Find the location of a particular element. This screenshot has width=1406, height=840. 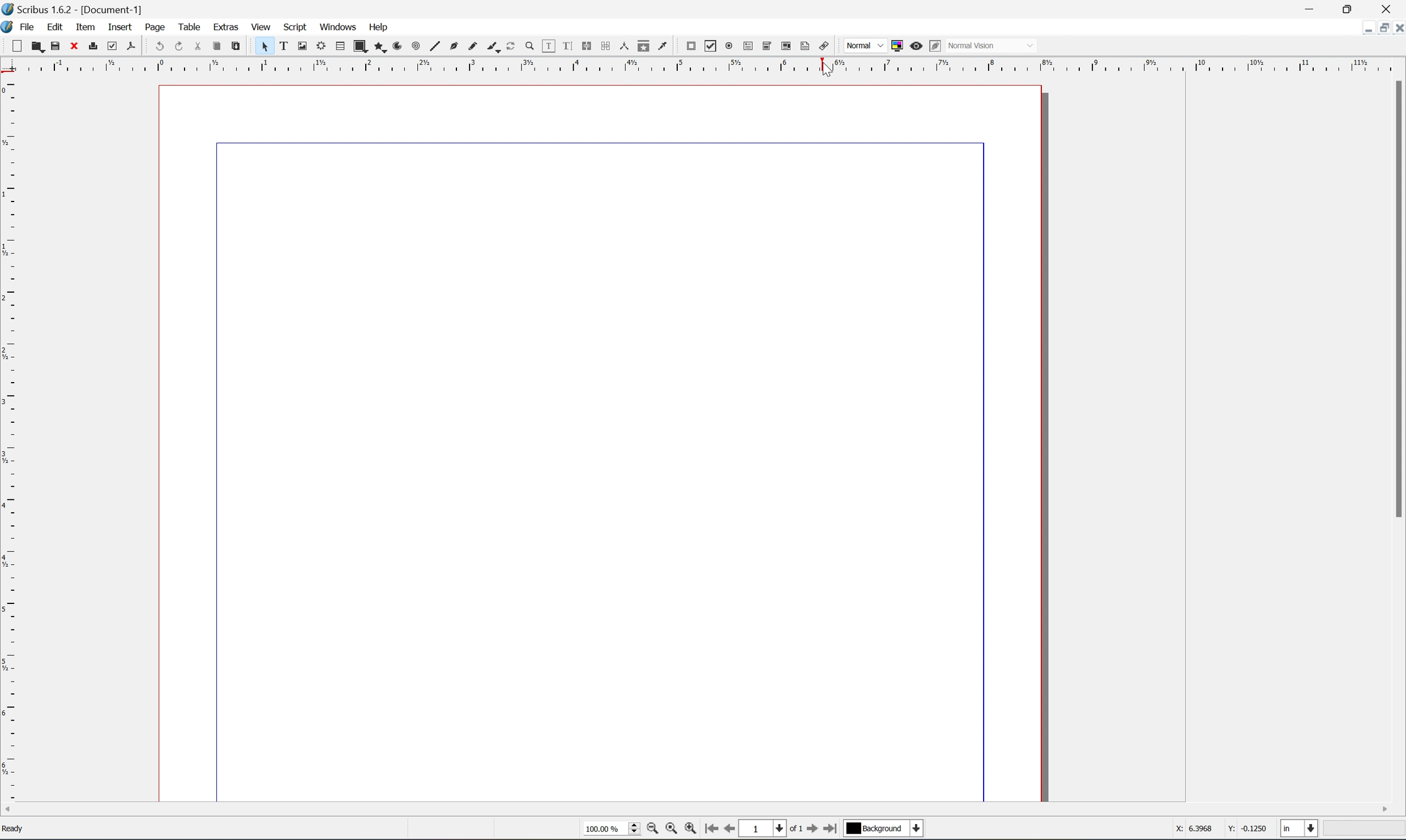

text annotation is located at coordinates (806, 46).